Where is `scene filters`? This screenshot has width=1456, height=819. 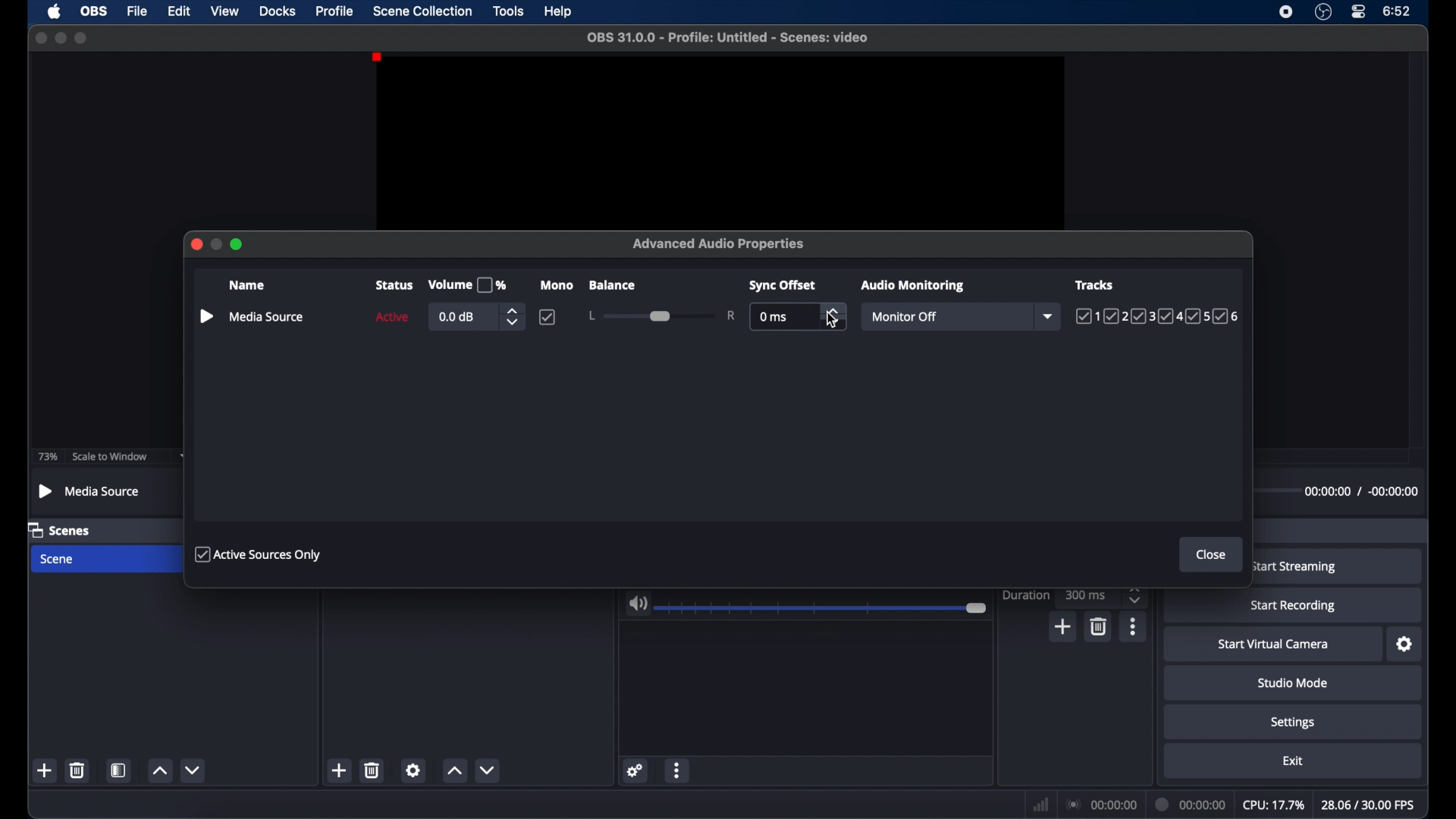 scene filters is located at coordinates (120, 770).